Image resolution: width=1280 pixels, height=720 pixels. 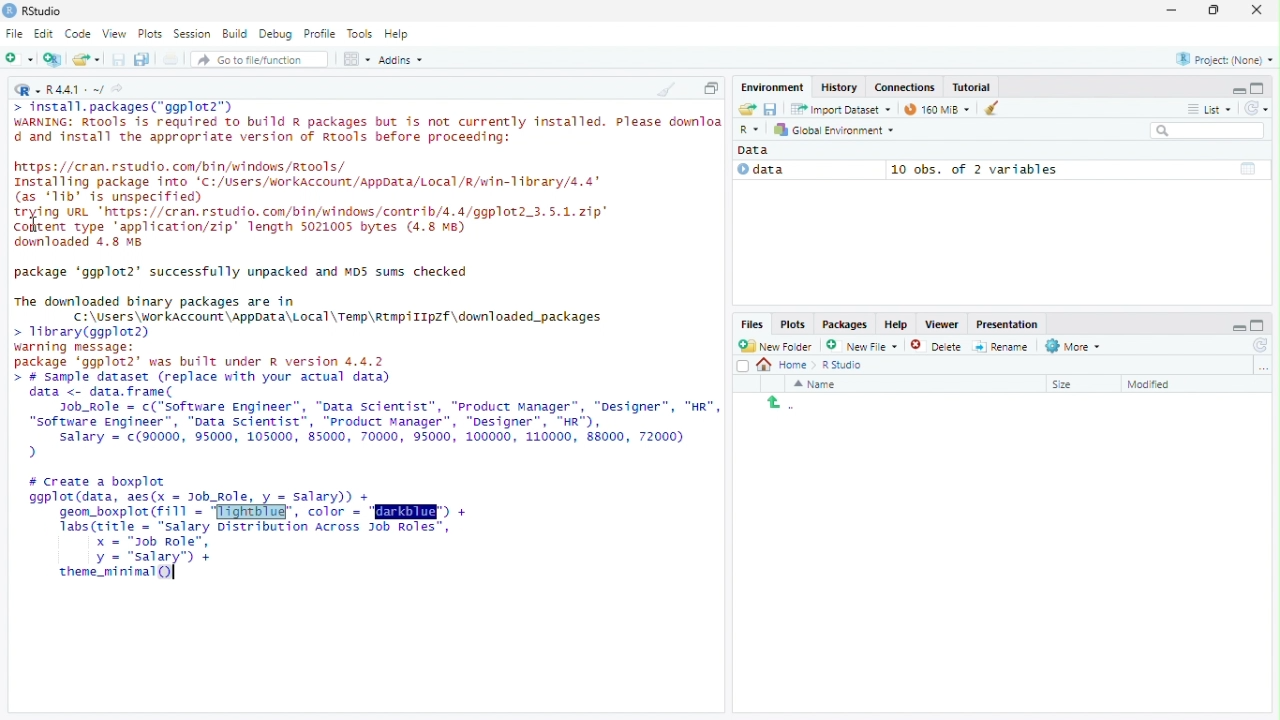 What do you see at coordinates (153, 33) in the screenshot?
I see `Plots` at bounding box center [153, 33].